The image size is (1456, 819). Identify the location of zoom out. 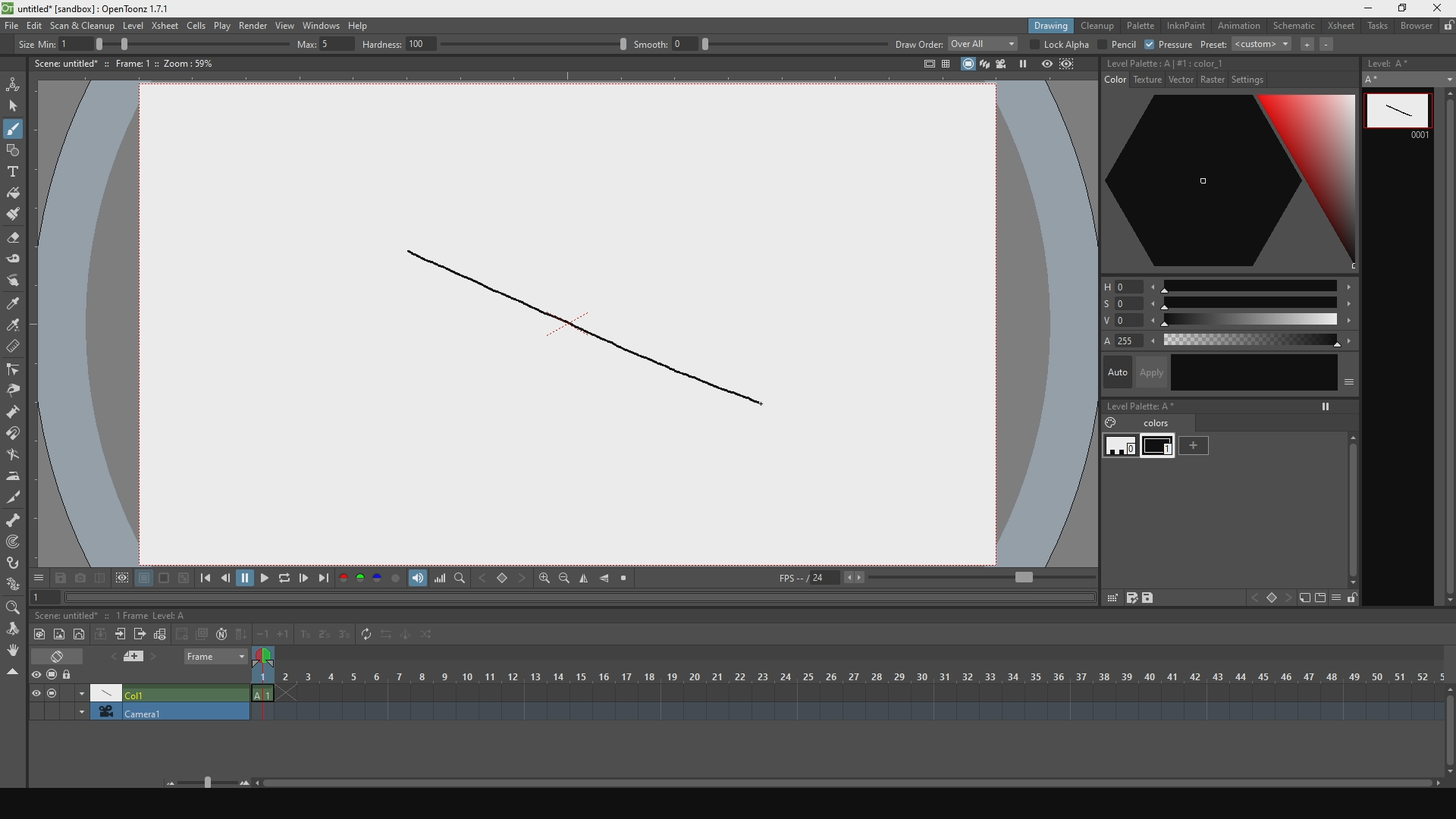
(565, 579).